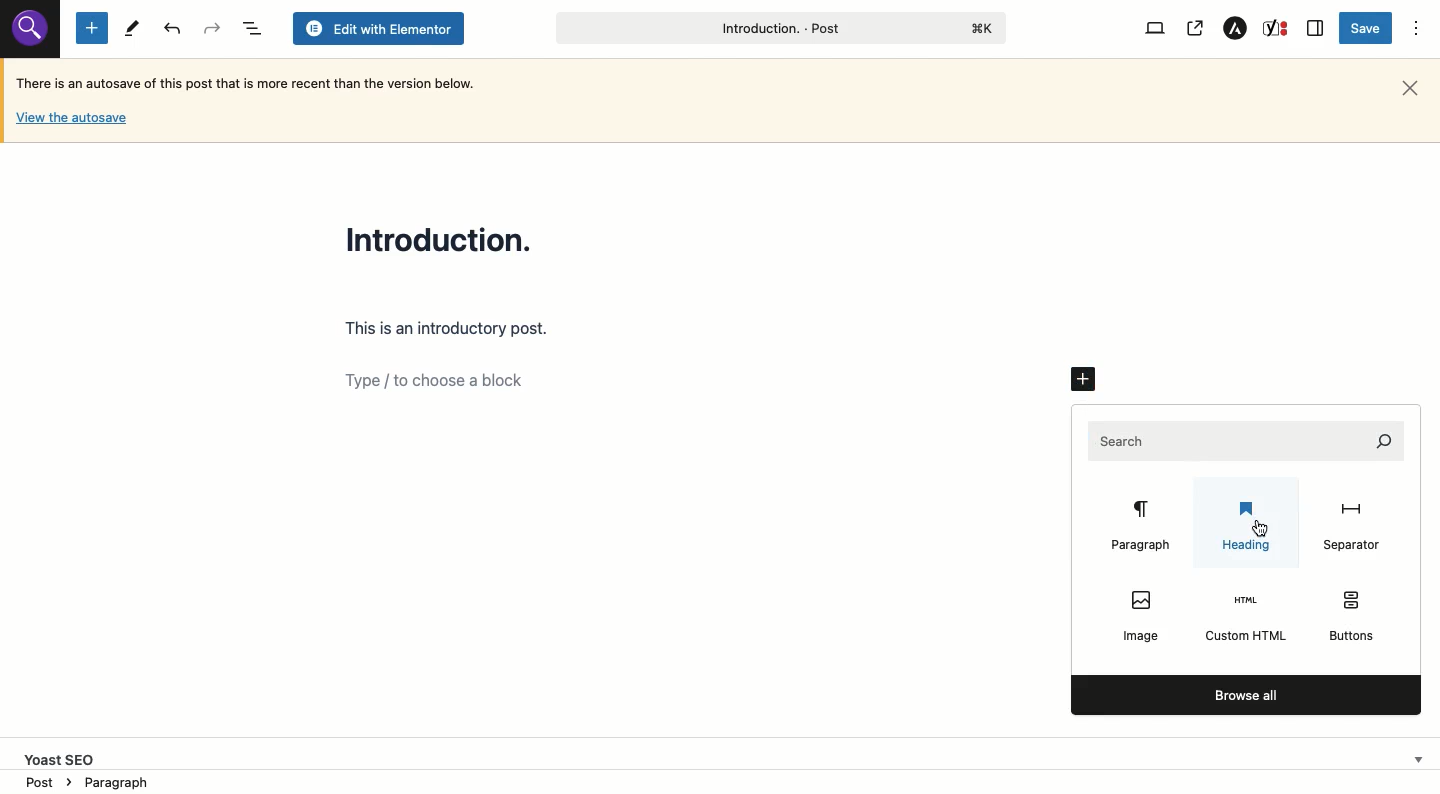 This screenshot has height=794, width=1440. What do you see at coordinates (1246, 620) in the screenshot?
I see `Custom html` at bounding box center [1246, 620].